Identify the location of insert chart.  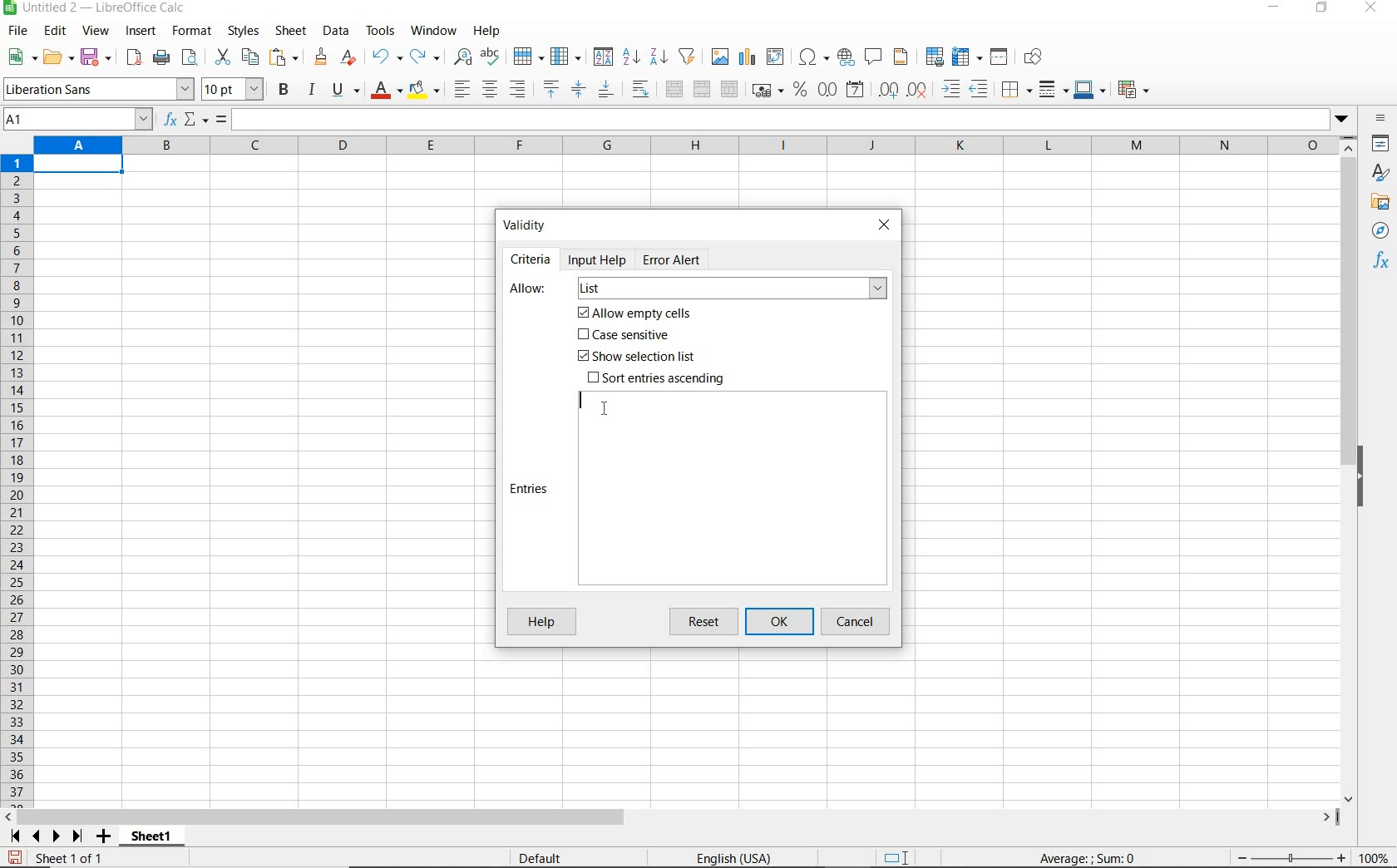
(748, 57).